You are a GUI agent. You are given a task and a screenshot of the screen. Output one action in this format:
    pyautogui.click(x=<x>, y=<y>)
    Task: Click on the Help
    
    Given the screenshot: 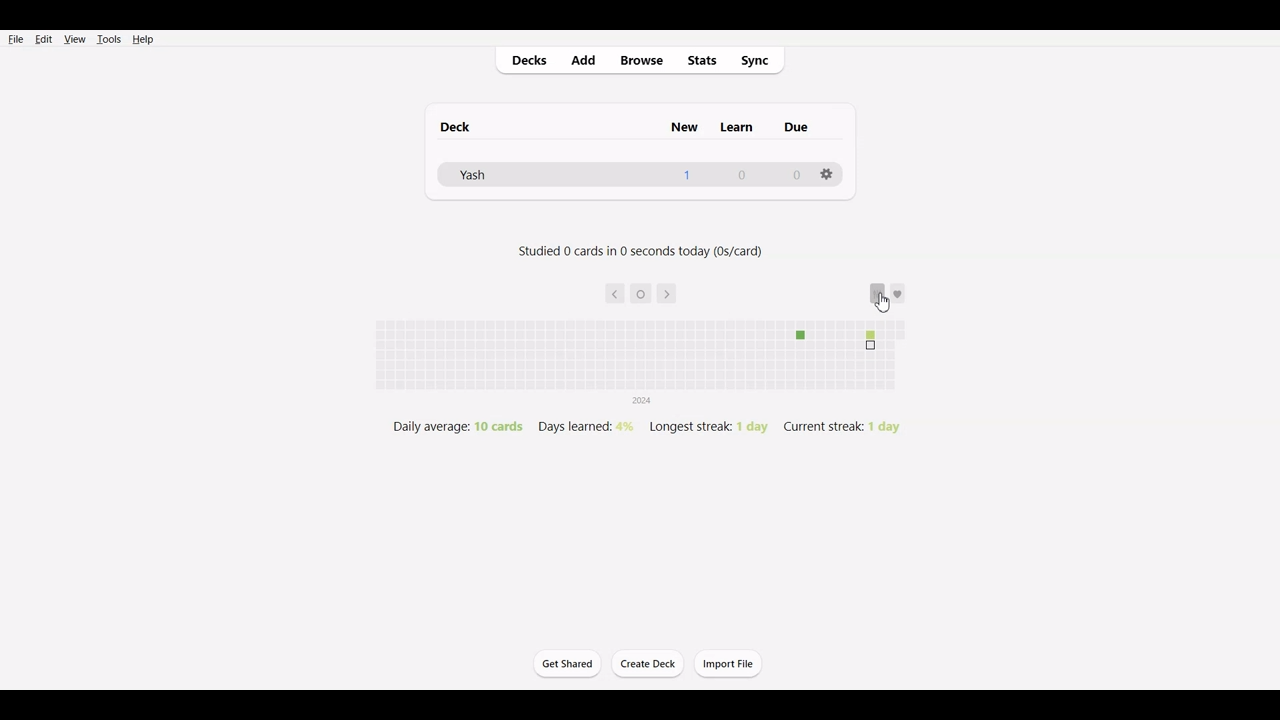 What is the action you would take?
    pyautogui.click(x=142, y=39)
    